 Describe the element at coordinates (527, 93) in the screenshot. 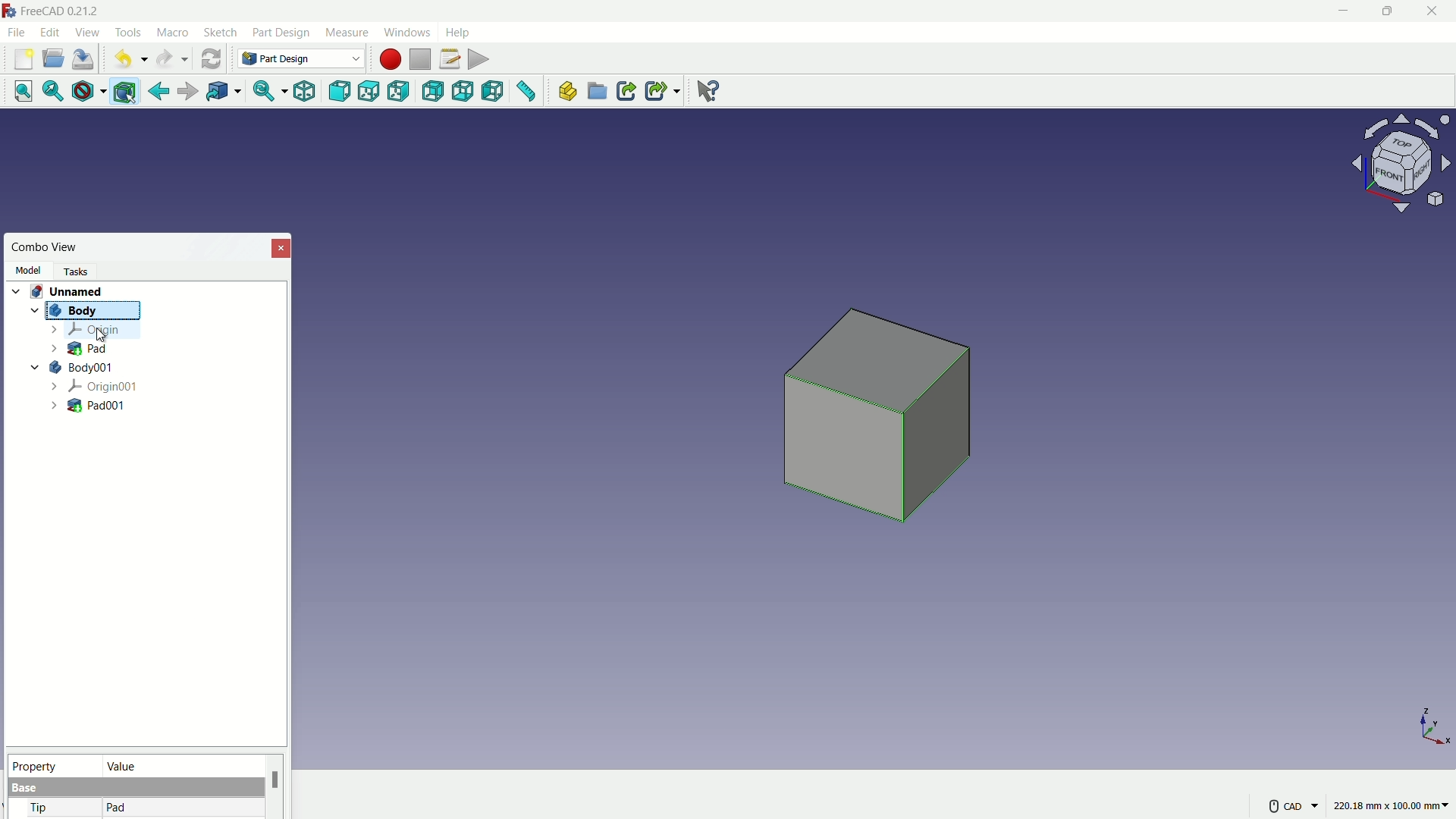

I see `measure` at that location.